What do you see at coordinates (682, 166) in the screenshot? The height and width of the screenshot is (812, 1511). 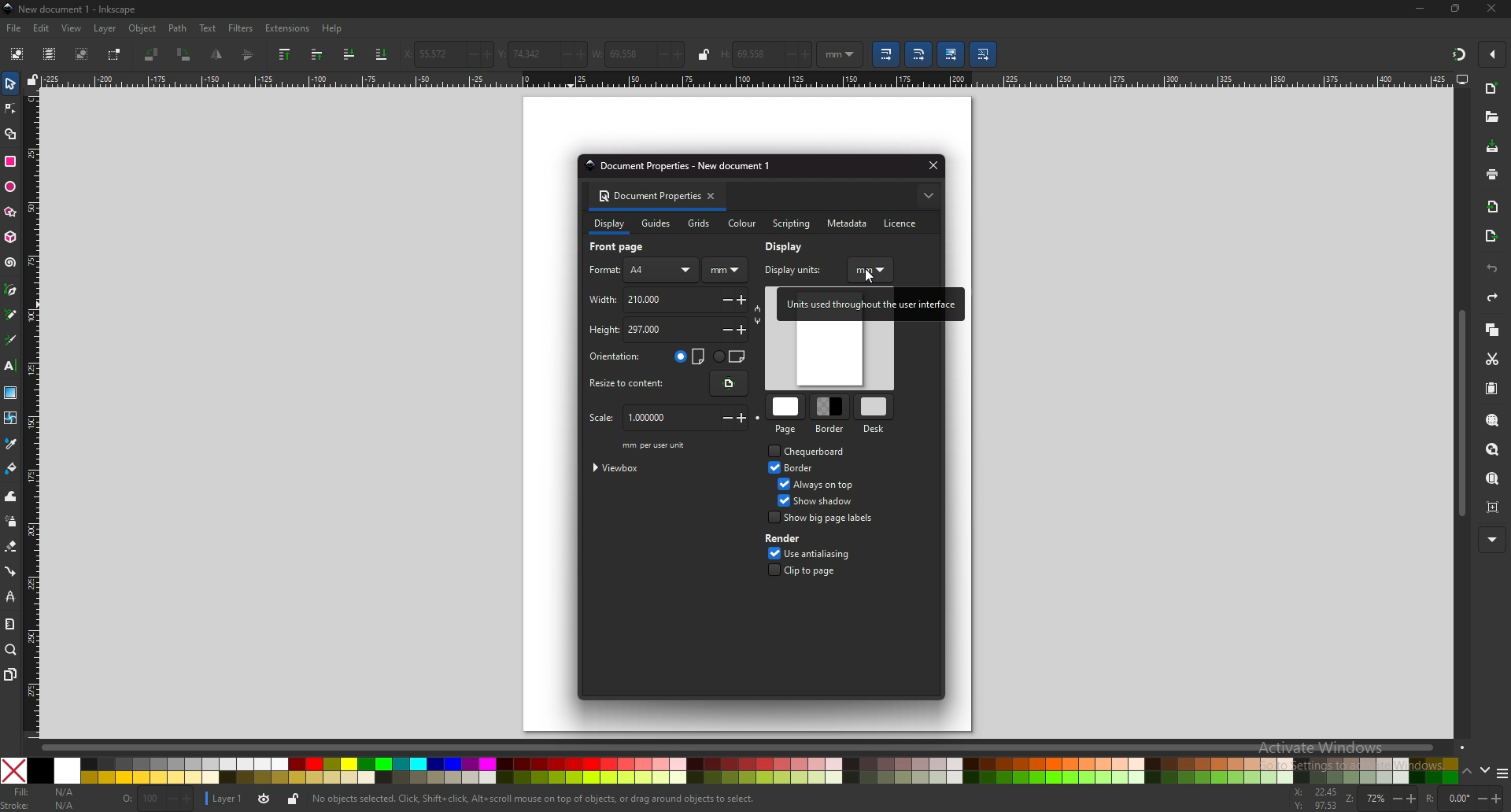 I see `document properties - New document 1` at bounding box center [682, 166].